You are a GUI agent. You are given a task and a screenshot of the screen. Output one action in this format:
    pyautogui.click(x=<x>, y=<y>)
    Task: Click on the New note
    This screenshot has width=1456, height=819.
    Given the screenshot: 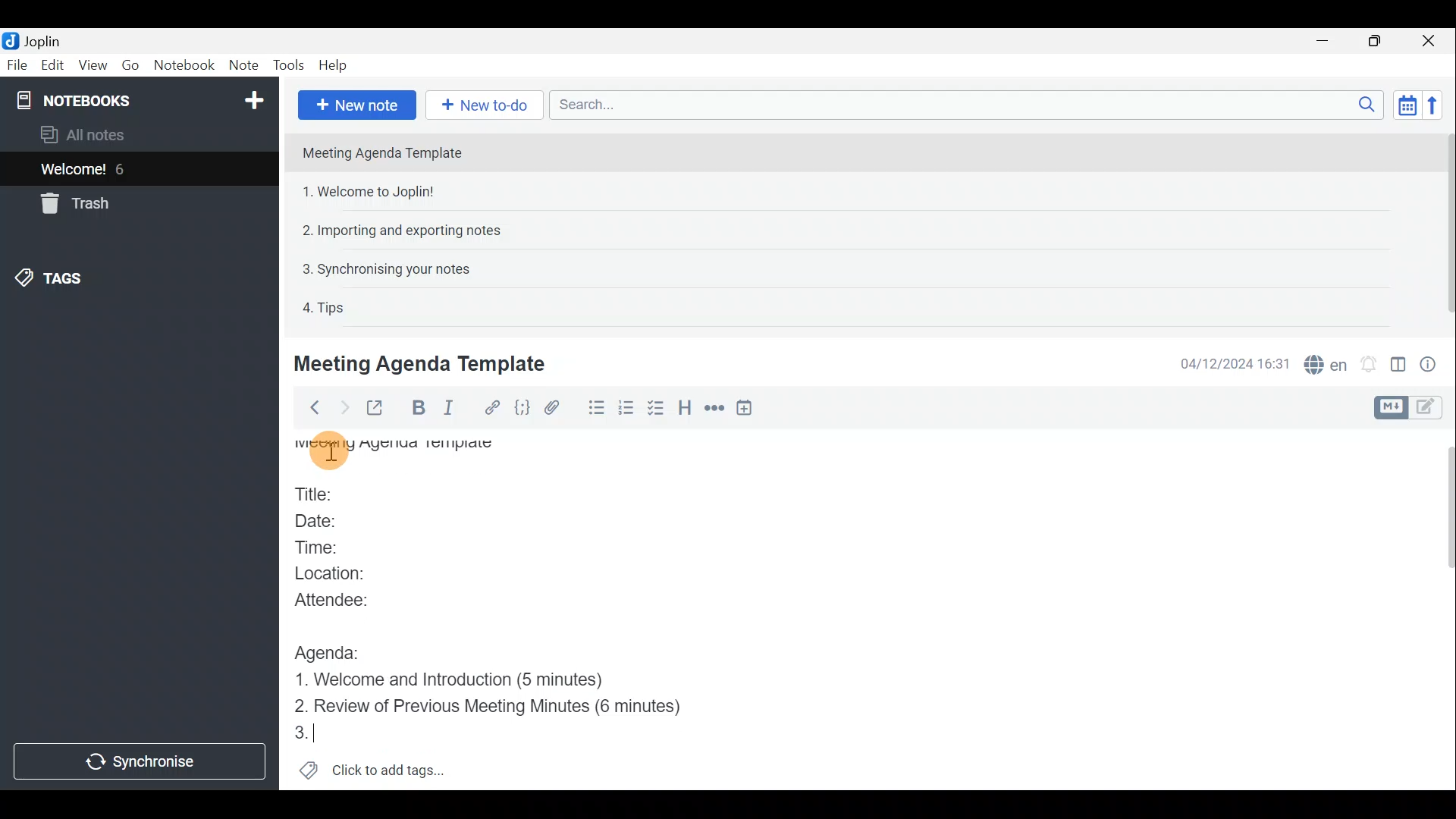 What is the action you would take?
    pyautogui.click(x=357, y=105)
    